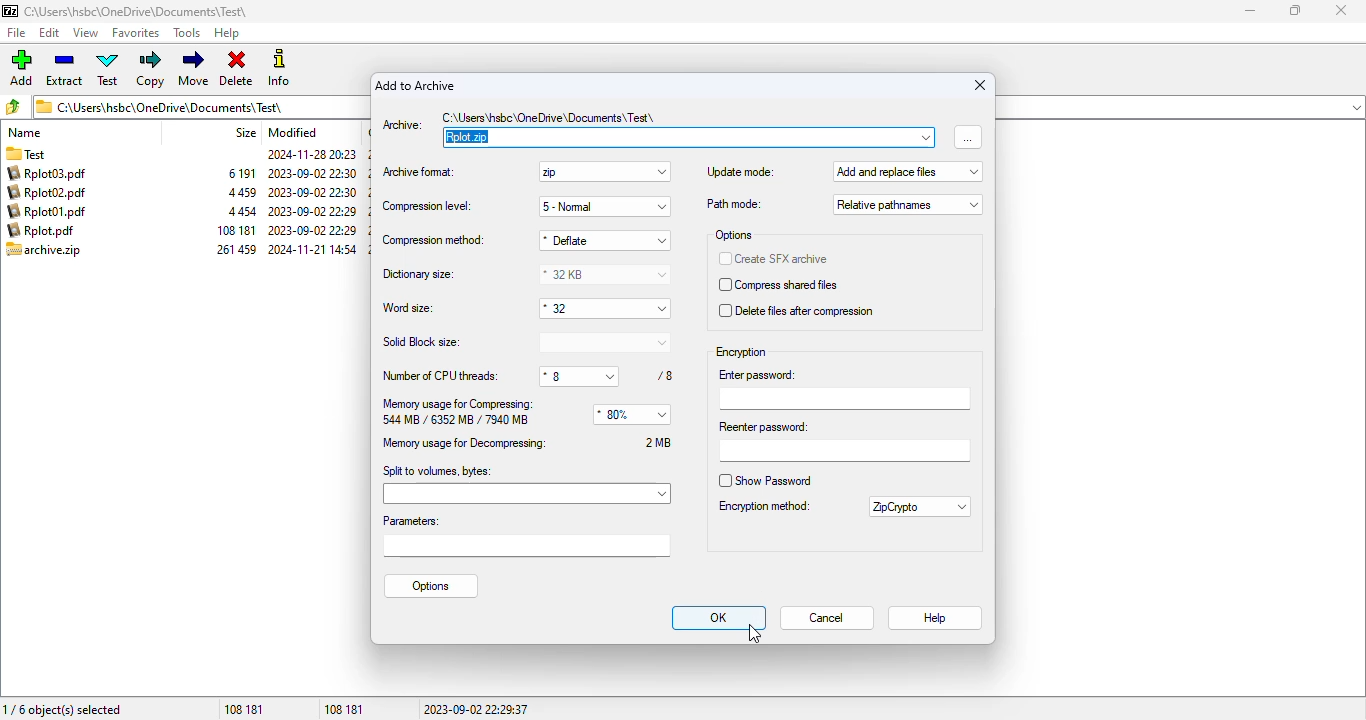 The height and width of the screenshot is (720, 1366). What do you see at coordinates (845, 388) in the screenshot?
I see `enter password: ` at bounding box center [845, 388].